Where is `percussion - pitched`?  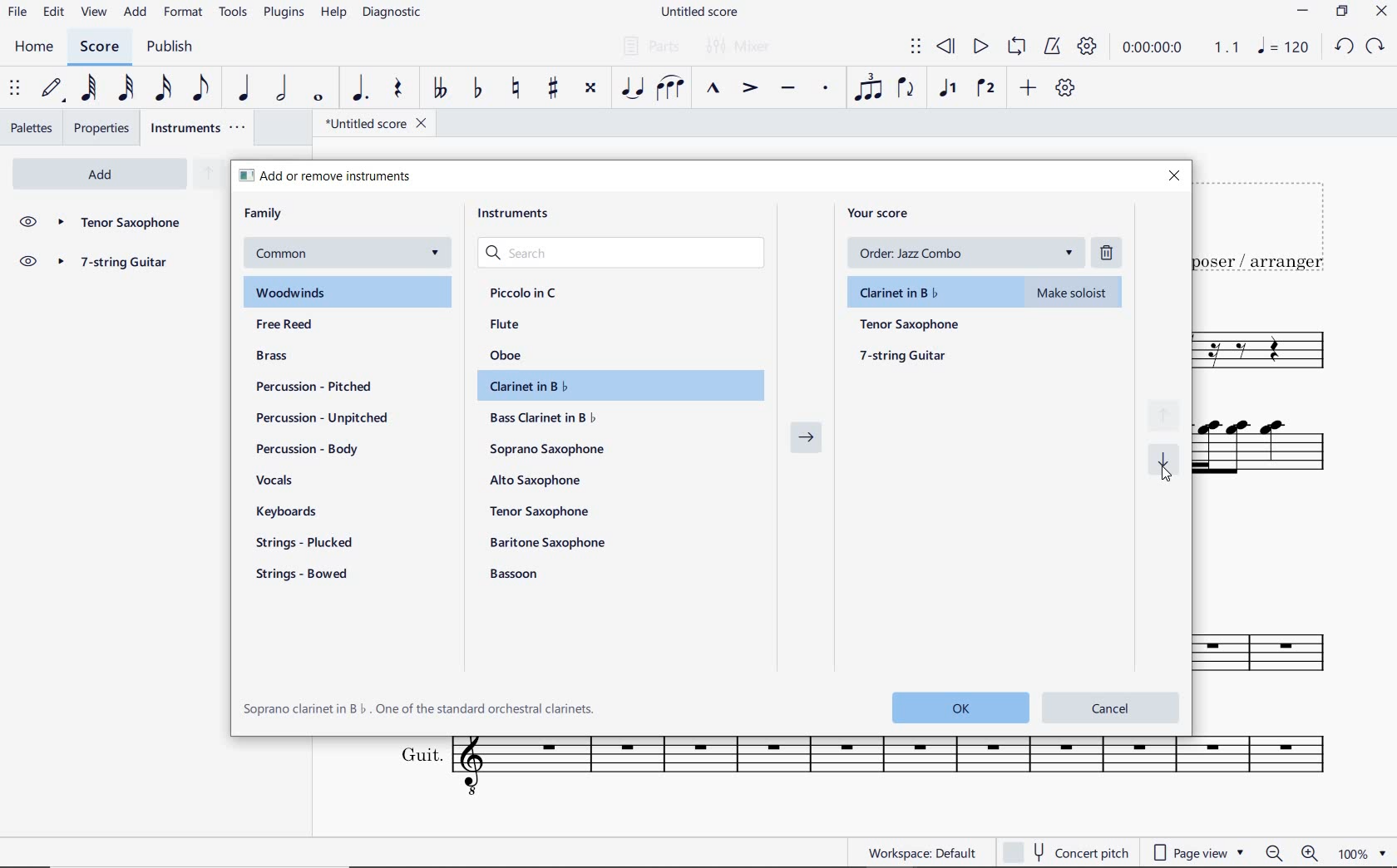 percussion - pitched is located at coordinates (309, 386).